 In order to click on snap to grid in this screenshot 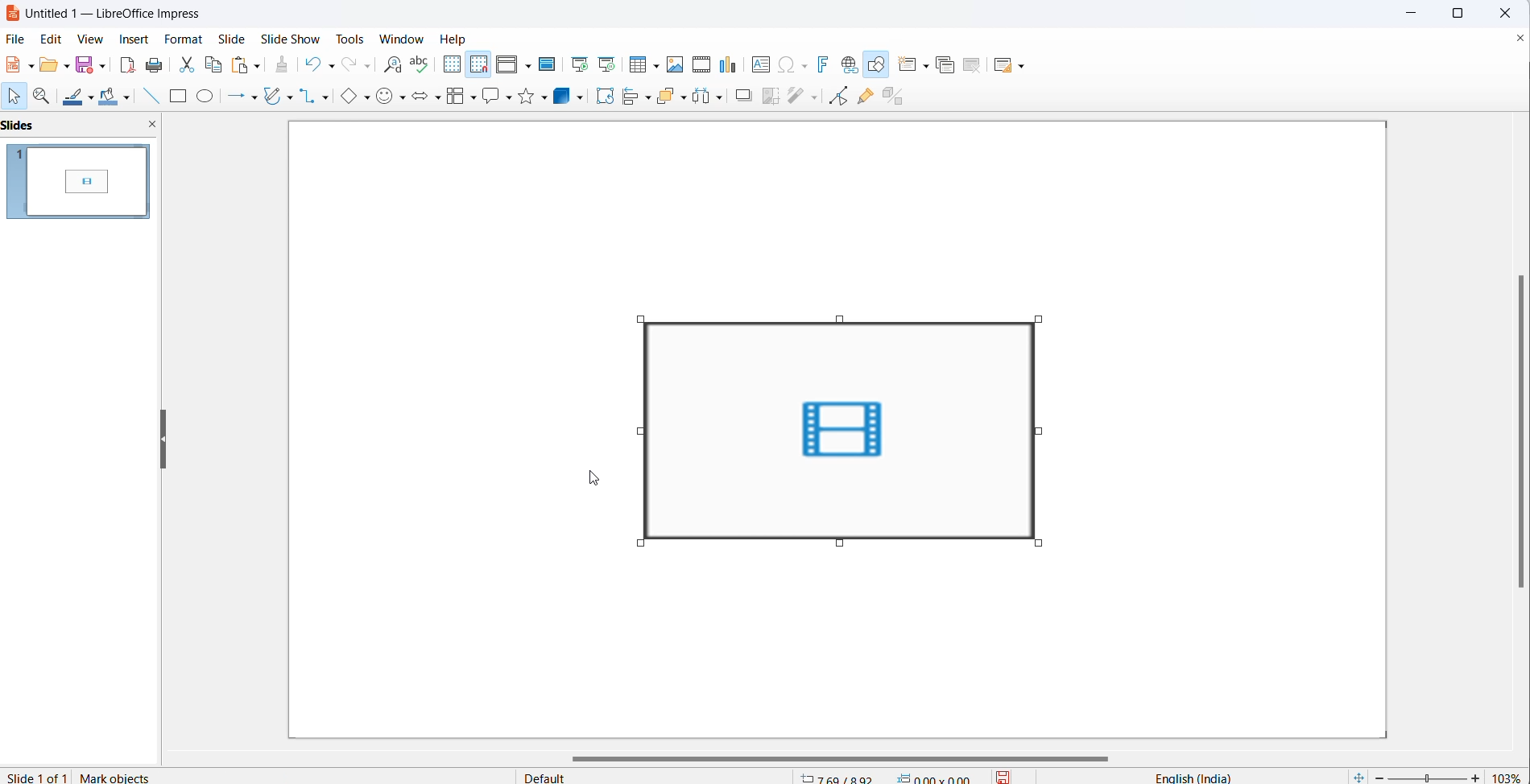, I will do `click(480, 65)`.